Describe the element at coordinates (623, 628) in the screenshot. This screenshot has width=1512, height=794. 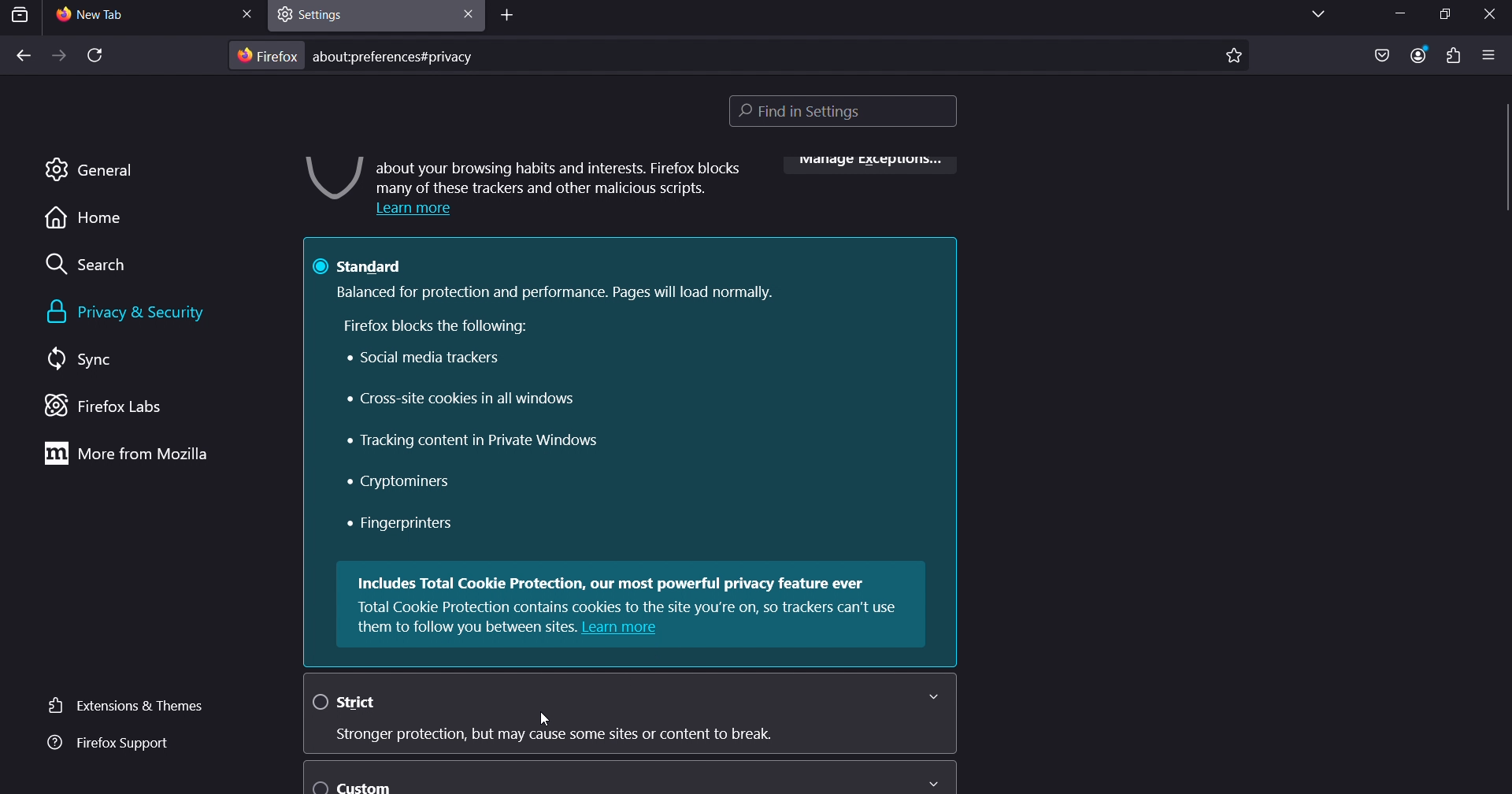
I see `Learn more` at that location.